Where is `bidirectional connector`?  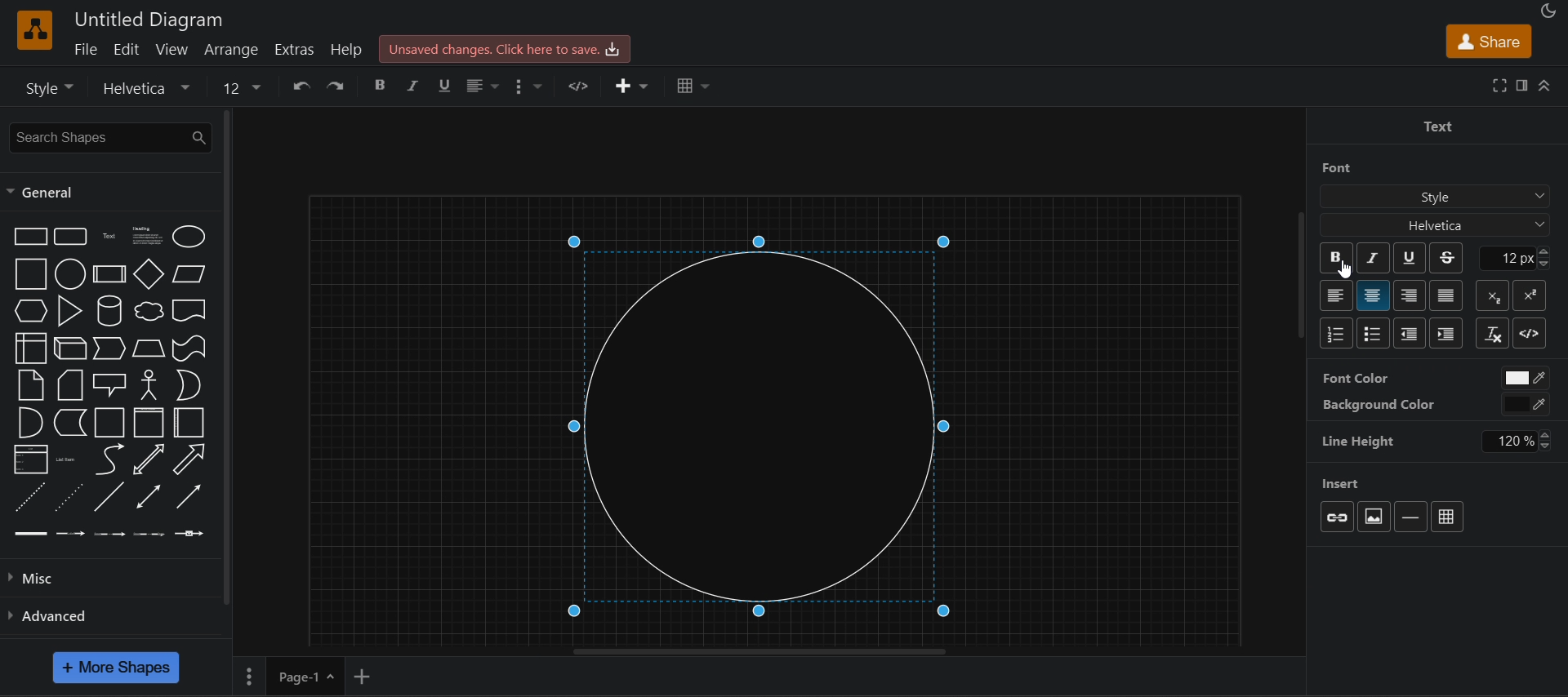 bidirectional connector is located at coordinates (150, 499).